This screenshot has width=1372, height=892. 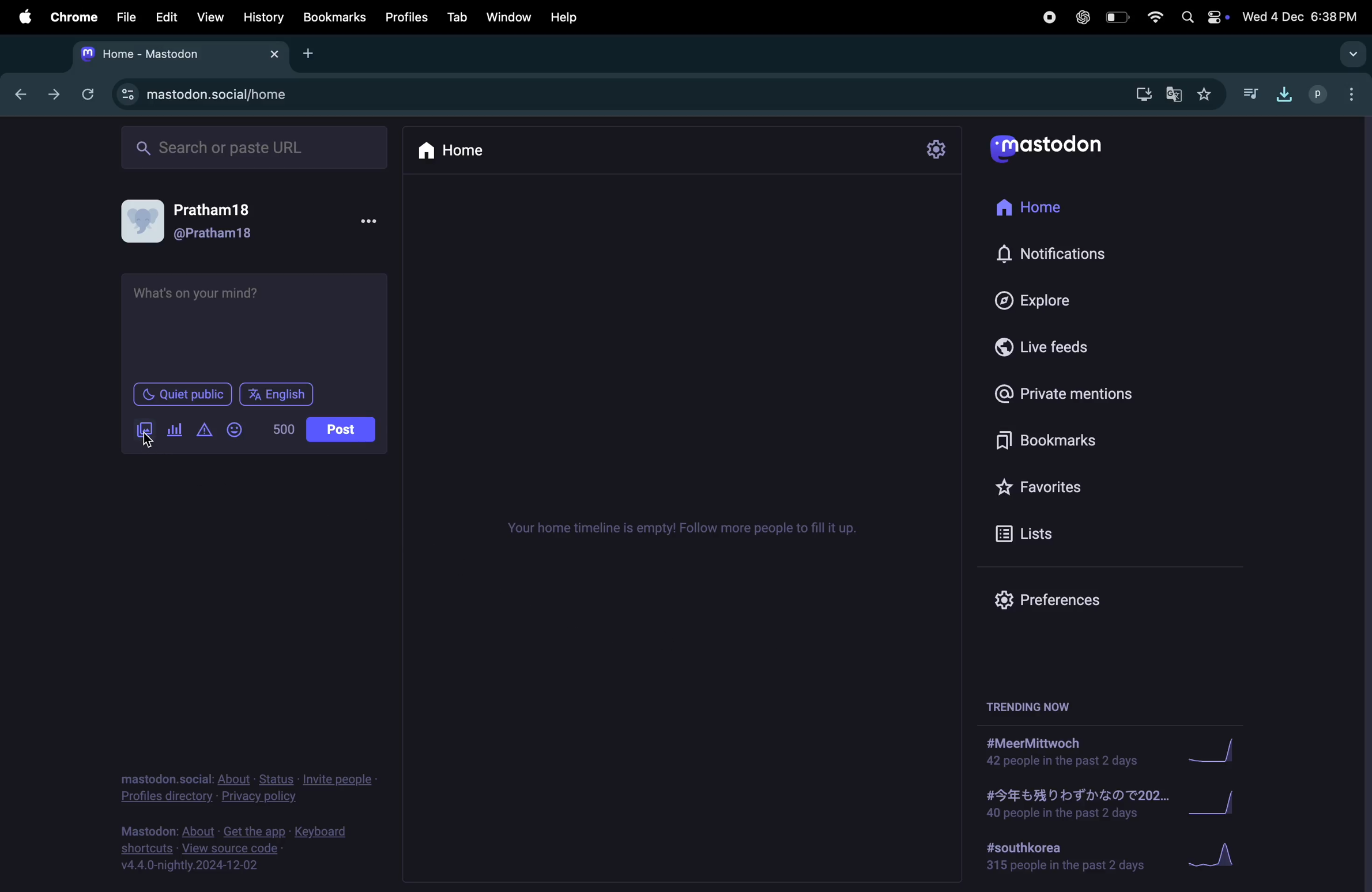 I want to click on help, so click(x=566, y=14).